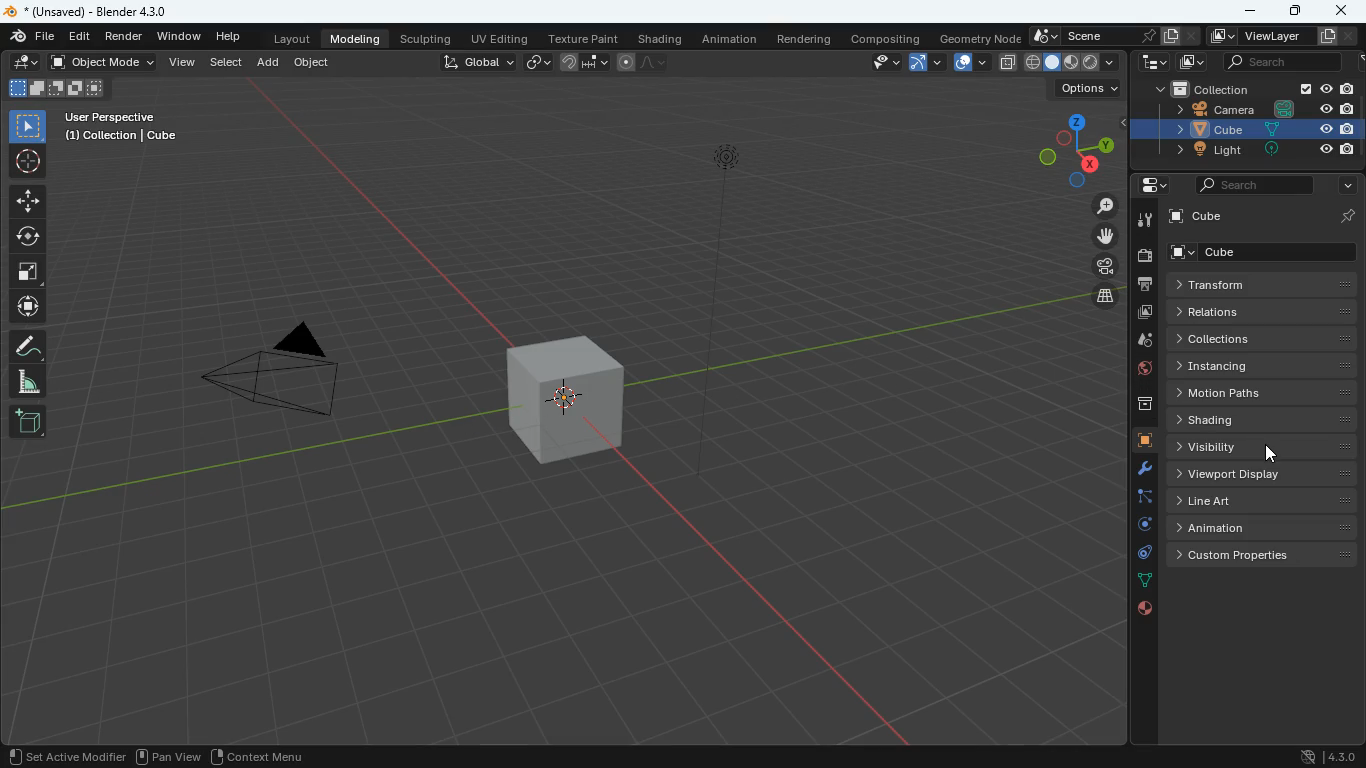 This screenshot has width=1366, height=768. I want to click on edge, so click(1140, 496).